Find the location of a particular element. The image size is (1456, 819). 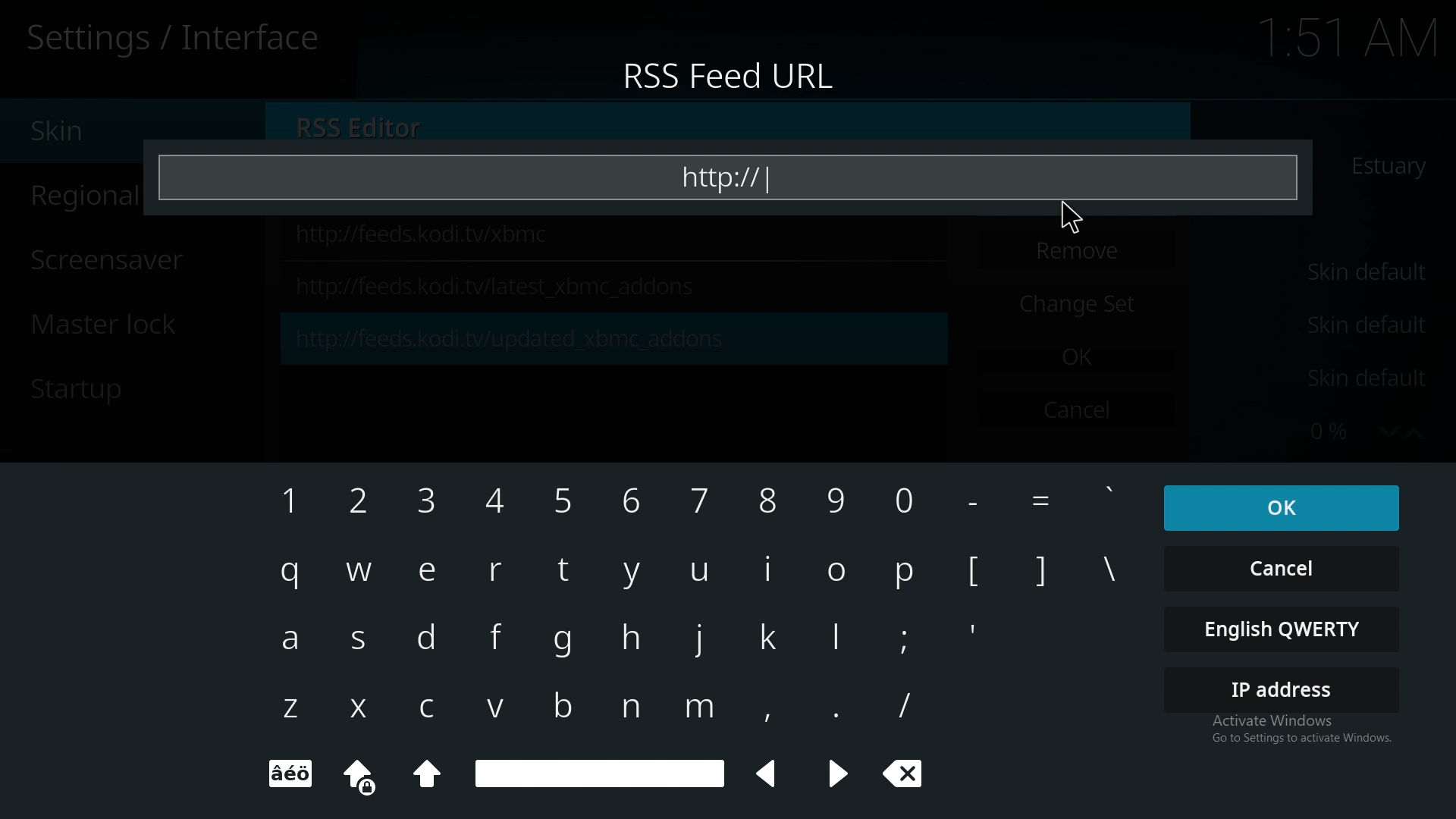

Cursor is located at coordinates (1031, 219).